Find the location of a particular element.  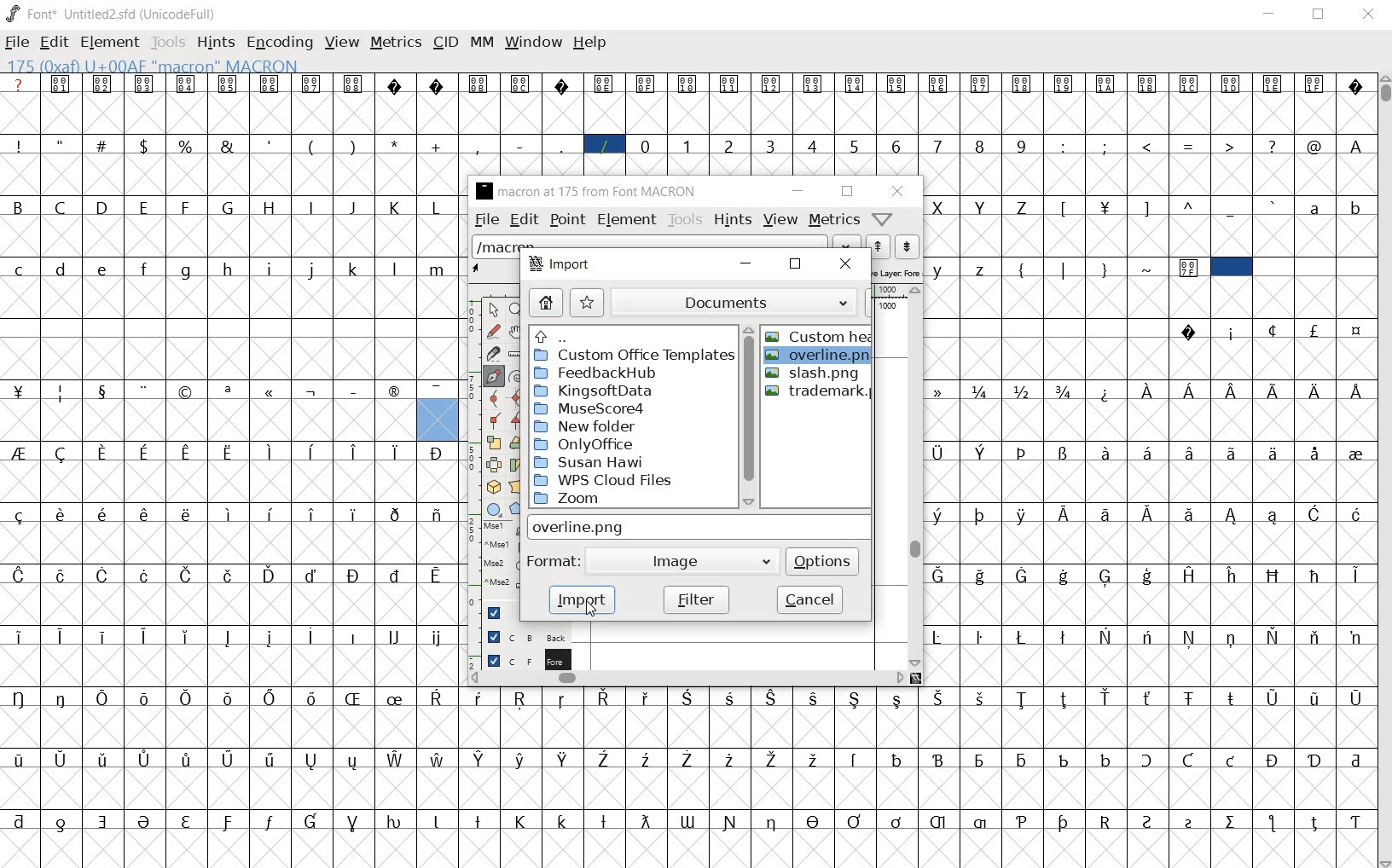

Maximize is located at coordinates (1322, 17).